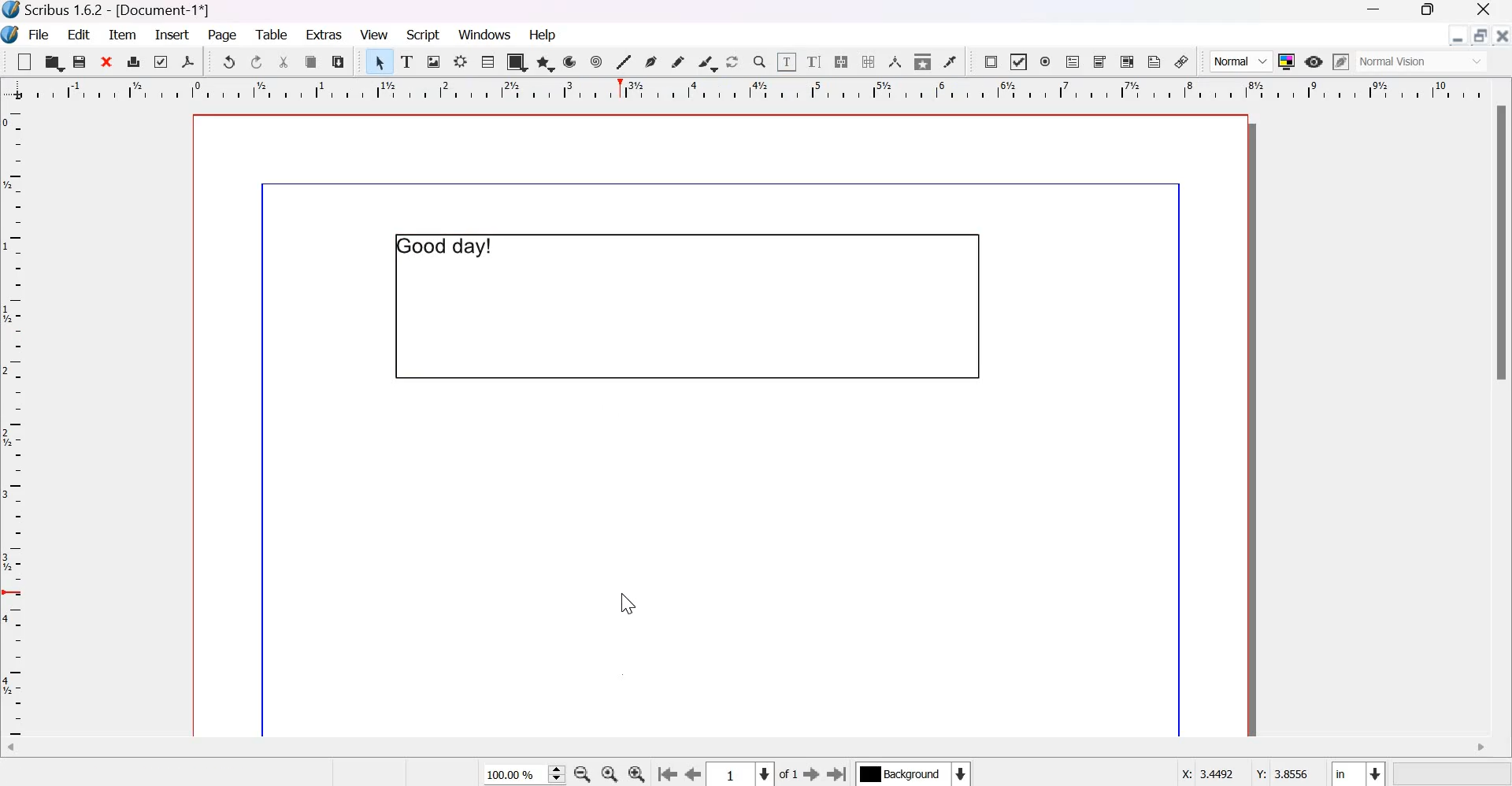 This screenshot has width=1512, height=786. I want to click on save as pdf, so click(187, 61).